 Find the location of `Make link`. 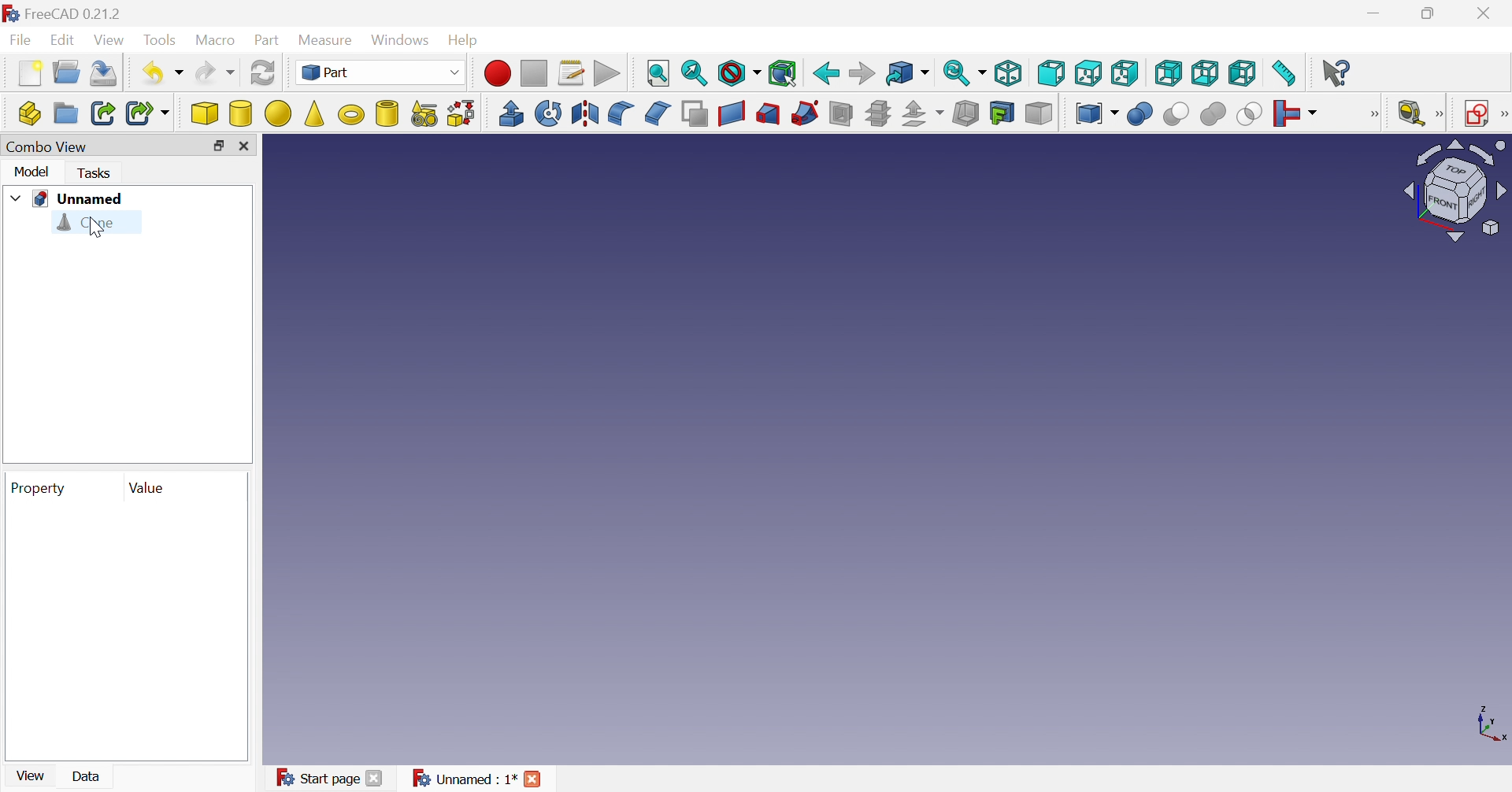

Make link is located at coordinates (103, 113).